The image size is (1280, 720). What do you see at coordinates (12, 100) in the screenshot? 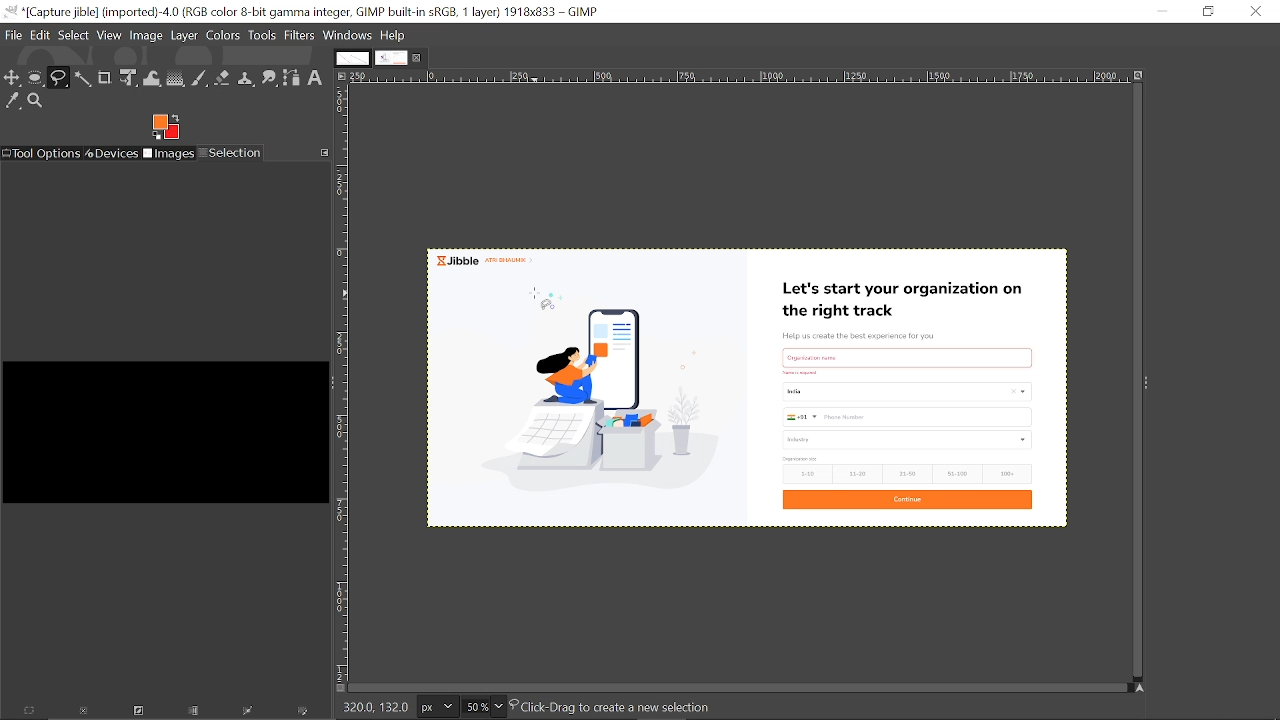
I see `Color picker tool` at bounding box center [12, 100].